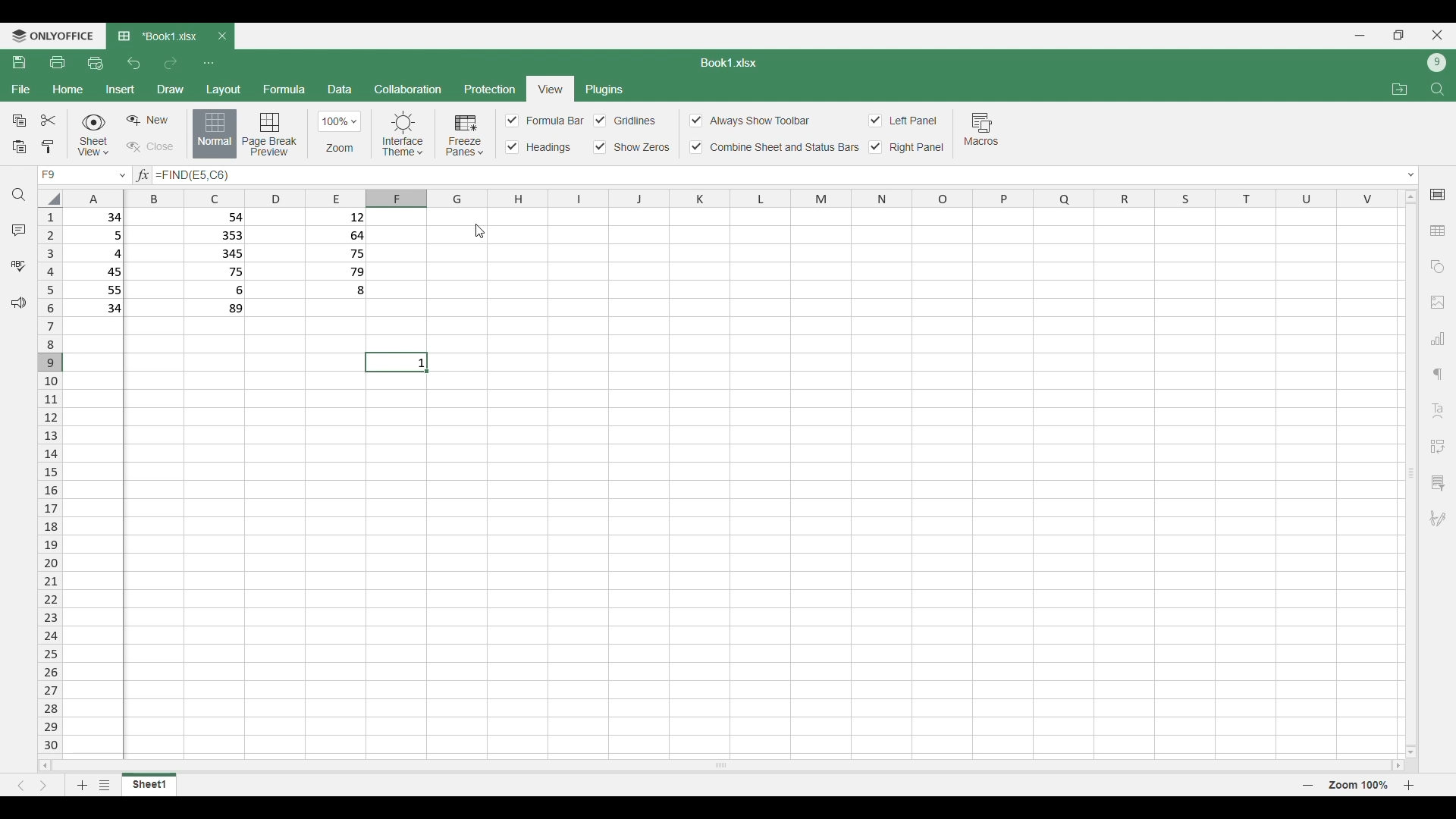 The width and height of the screenshot is (1456, 819). Describe the element at coordinates (1438, 194) in the screenshot. I see `Cell settings` at that location.